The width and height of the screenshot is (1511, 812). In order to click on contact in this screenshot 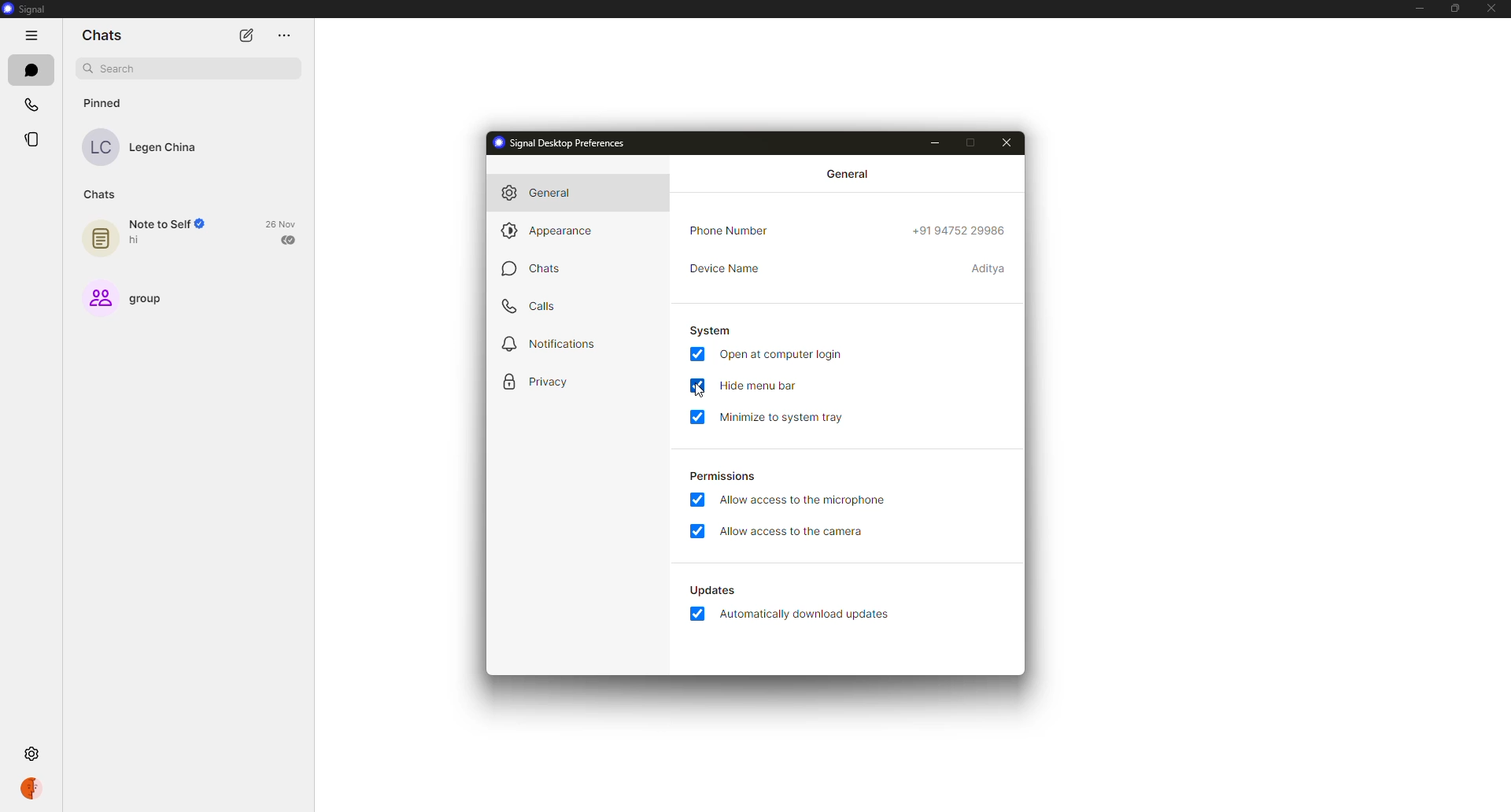, I will do `click(149, 149)`.